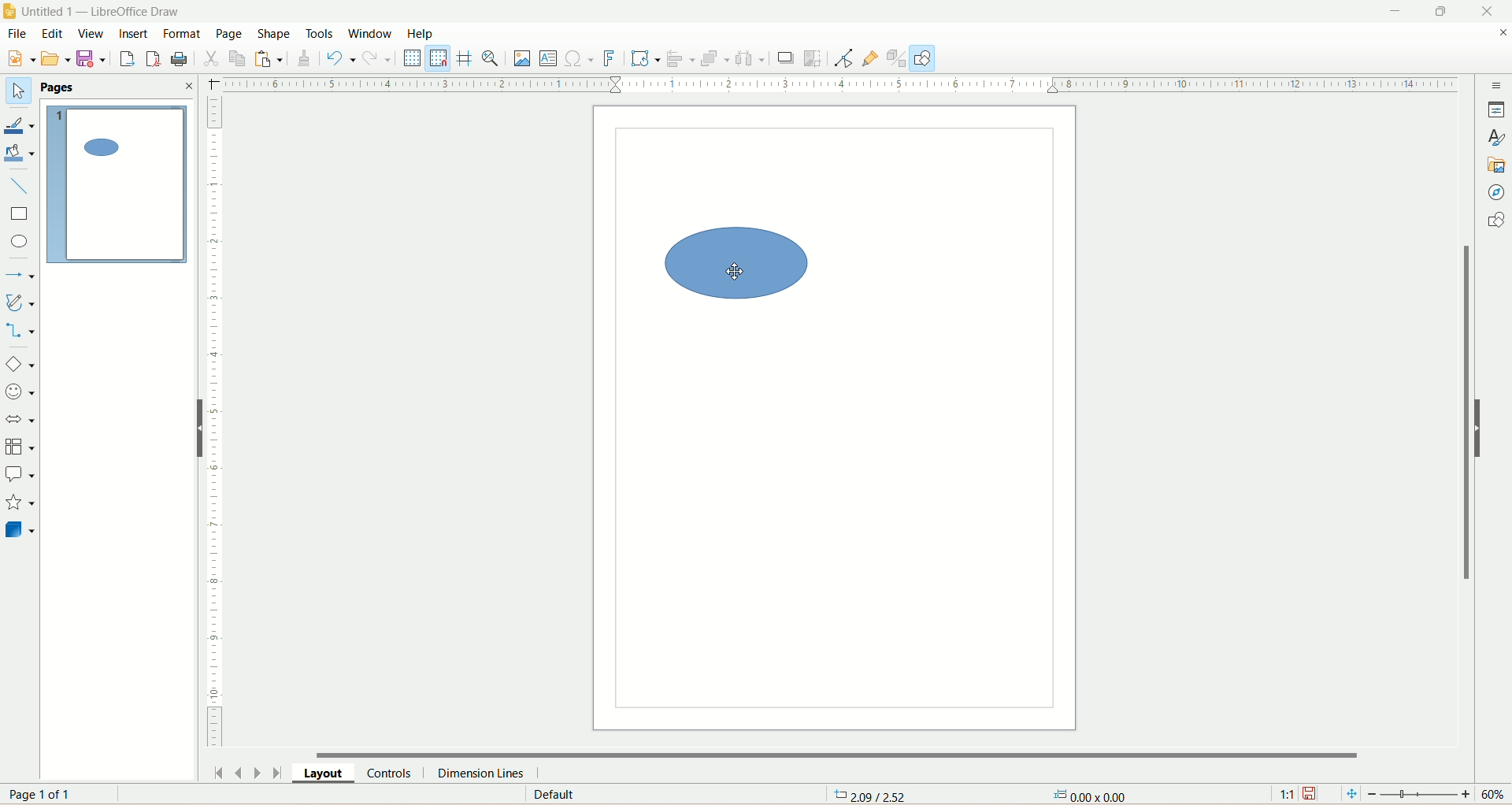  Describe the element at coordinates (1421, 793) in the screenshot. I see `zoom factor` at that location.